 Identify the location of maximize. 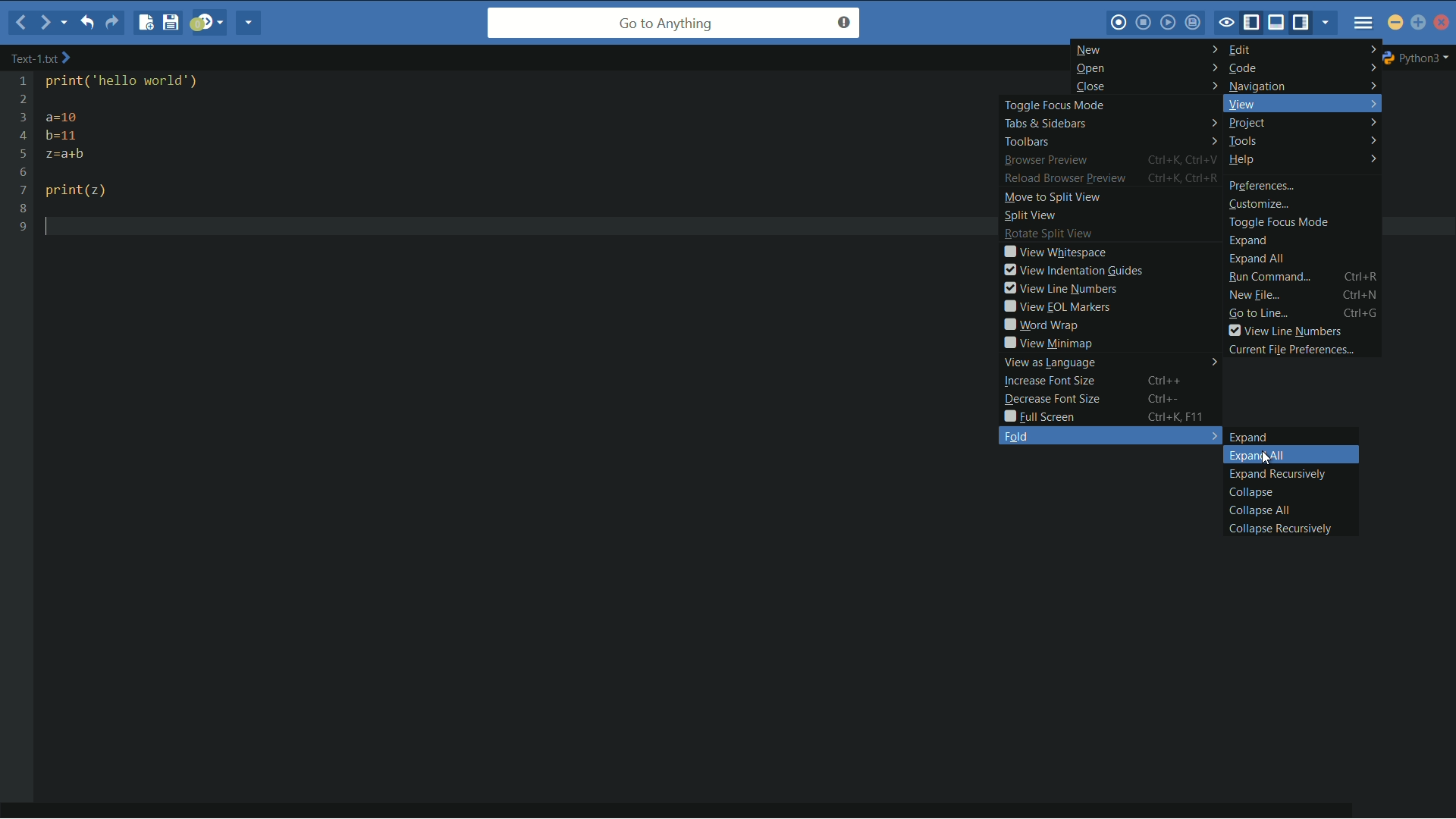
(1419, 24).